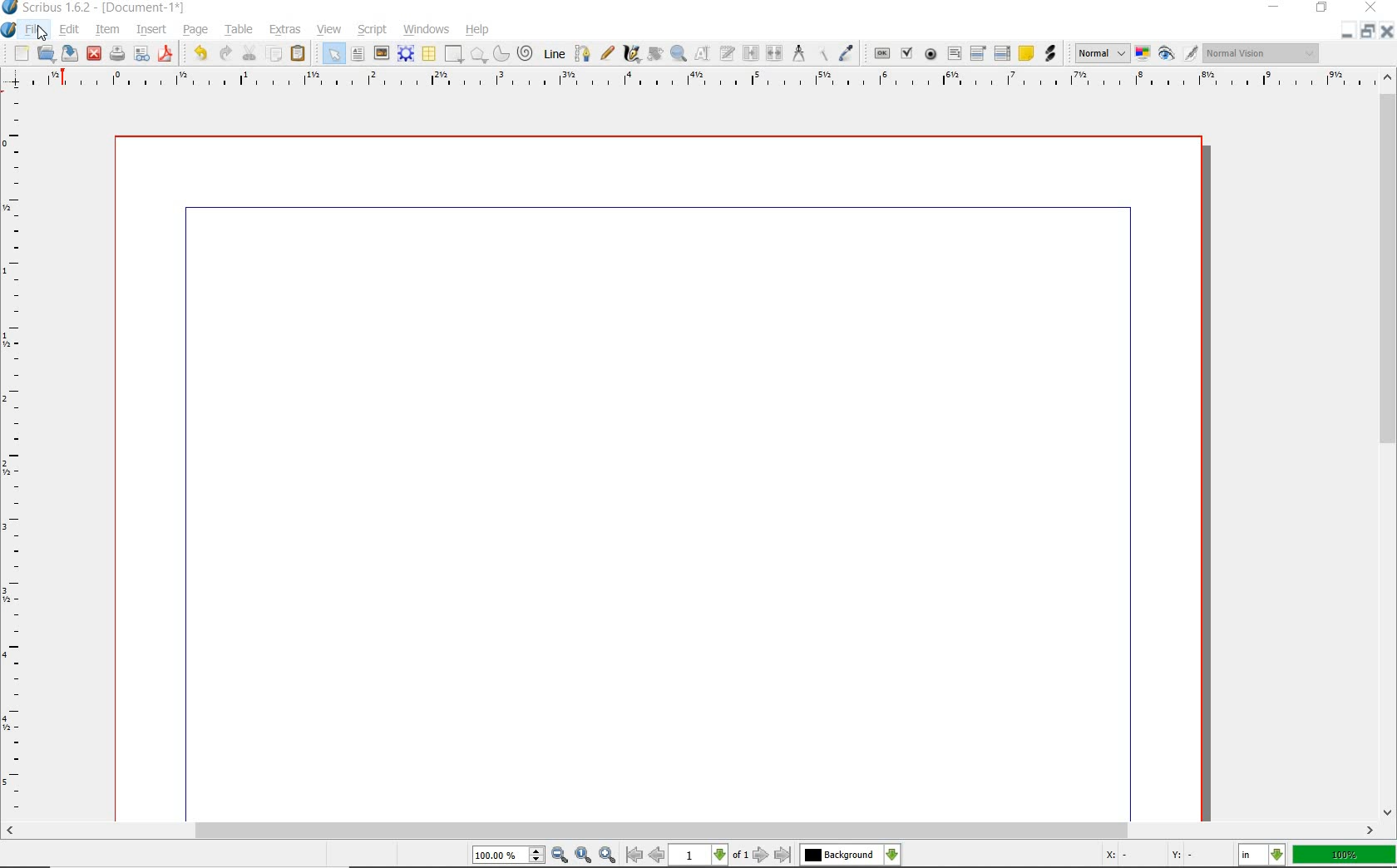 This screenshot has width=1397, height=868. Describe the element at coordinates (301, 55) in the screenshot. I see `paste` at that location.